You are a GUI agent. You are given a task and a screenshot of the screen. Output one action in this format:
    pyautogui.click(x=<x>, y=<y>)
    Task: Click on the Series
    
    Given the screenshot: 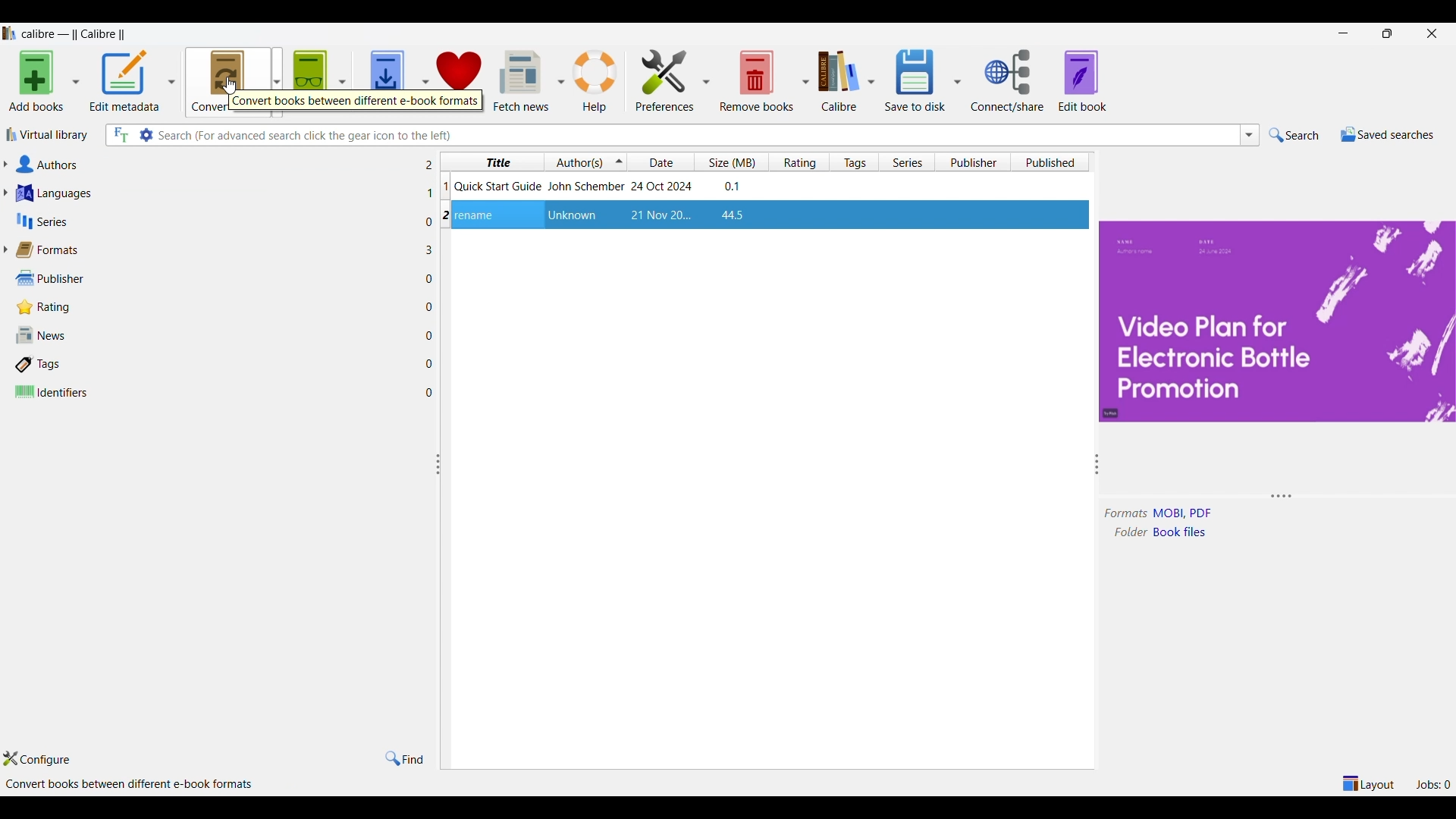 What is the action you would take?
    pyautogui.click(x=215, y=221)
    